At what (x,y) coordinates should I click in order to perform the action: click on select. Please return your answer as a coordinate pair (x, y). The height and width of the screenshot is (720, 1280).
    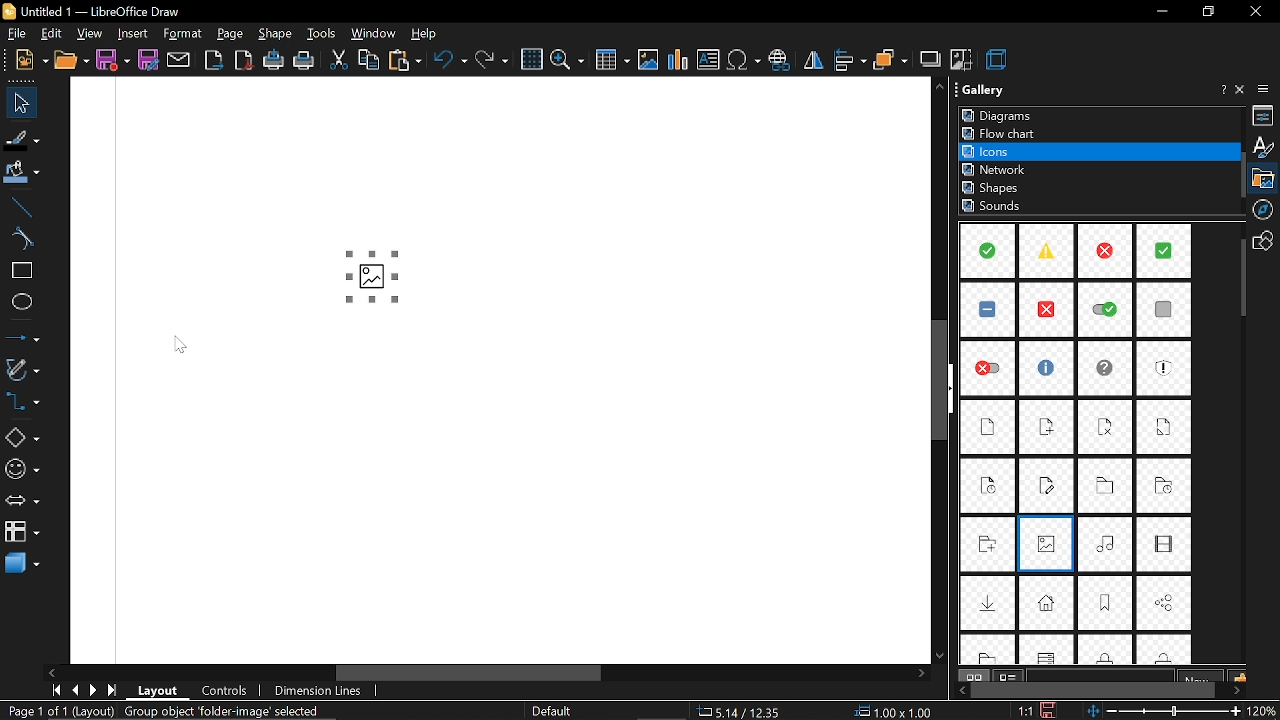
    Looking at the image, I should click on (16, 103).